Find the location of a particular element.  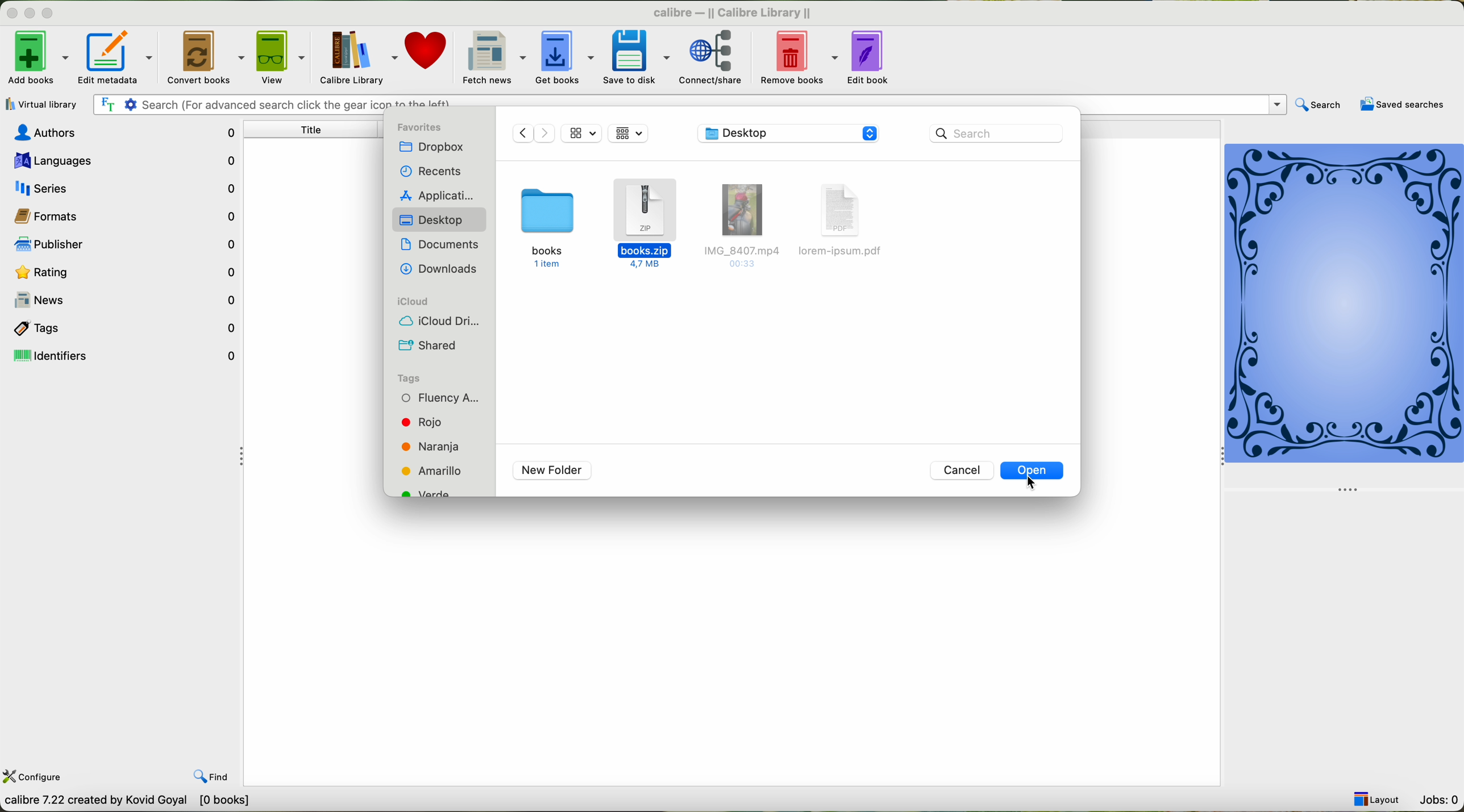

applications is located at coordinates (437, 196).